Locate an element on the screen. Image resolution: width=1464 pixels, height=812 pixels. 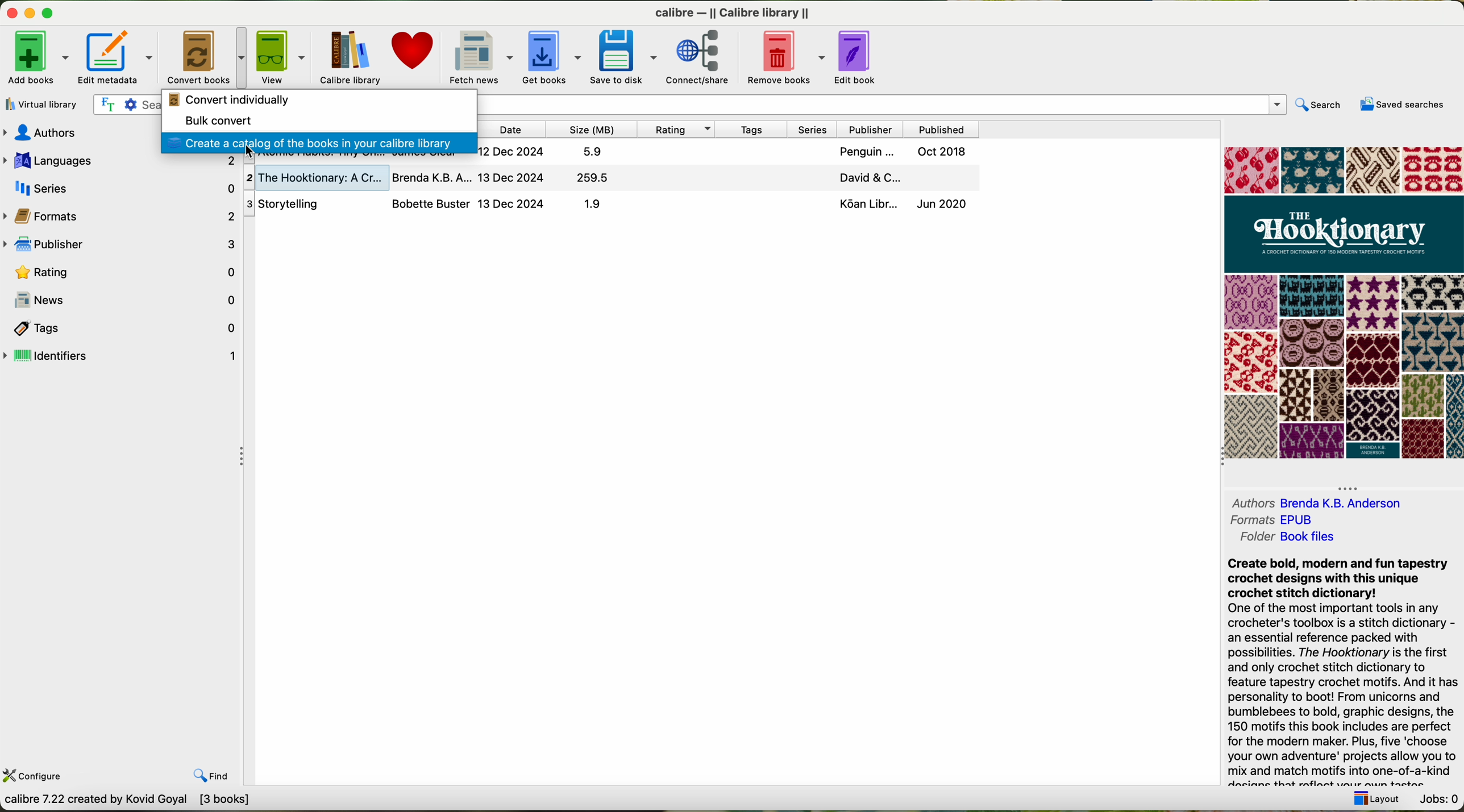
date is located at coordinates (509, 129).